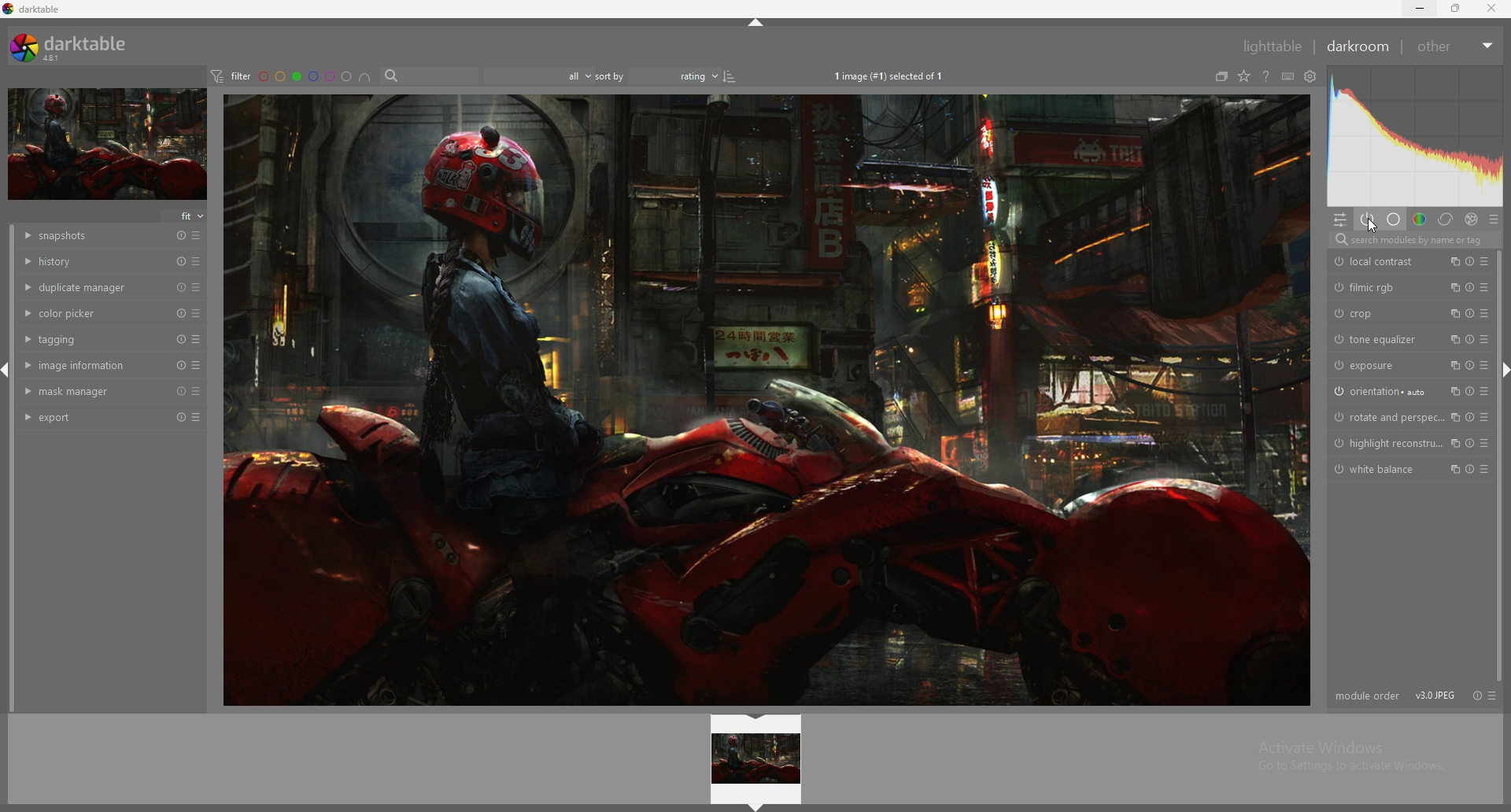 The width and height of the screenshot is (1511, 812). What do you see at coordinates (1374, 226) in the screenshot?
I see `Cursor` at bounding box center [1374, 226].